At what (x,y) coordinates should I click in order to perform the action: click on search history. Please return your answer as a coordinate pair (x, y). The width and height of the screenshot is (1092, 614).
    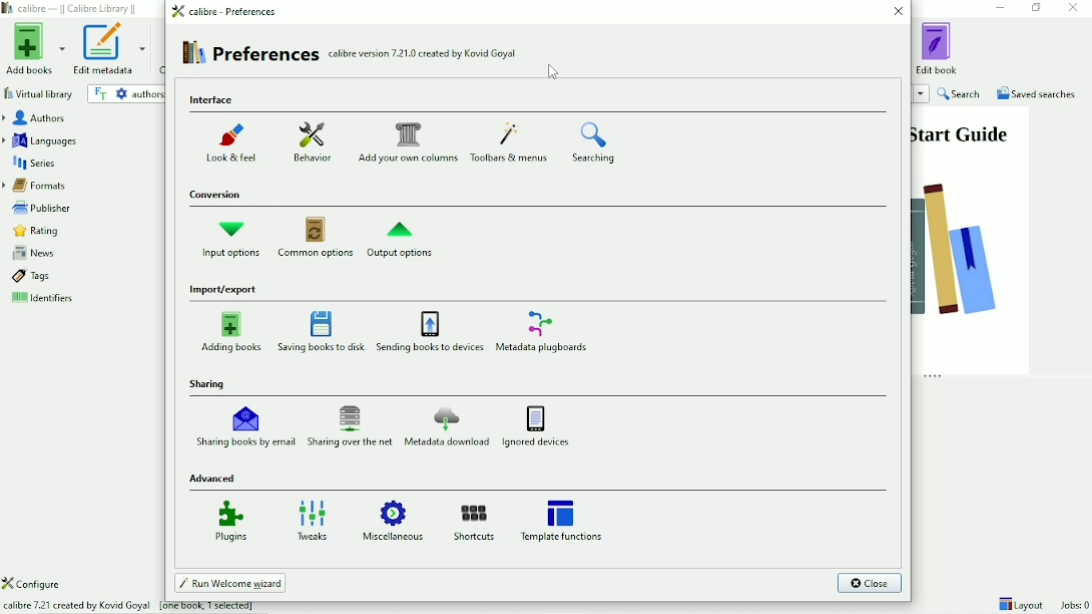
    Looking at the image, I should click on (920, 94).